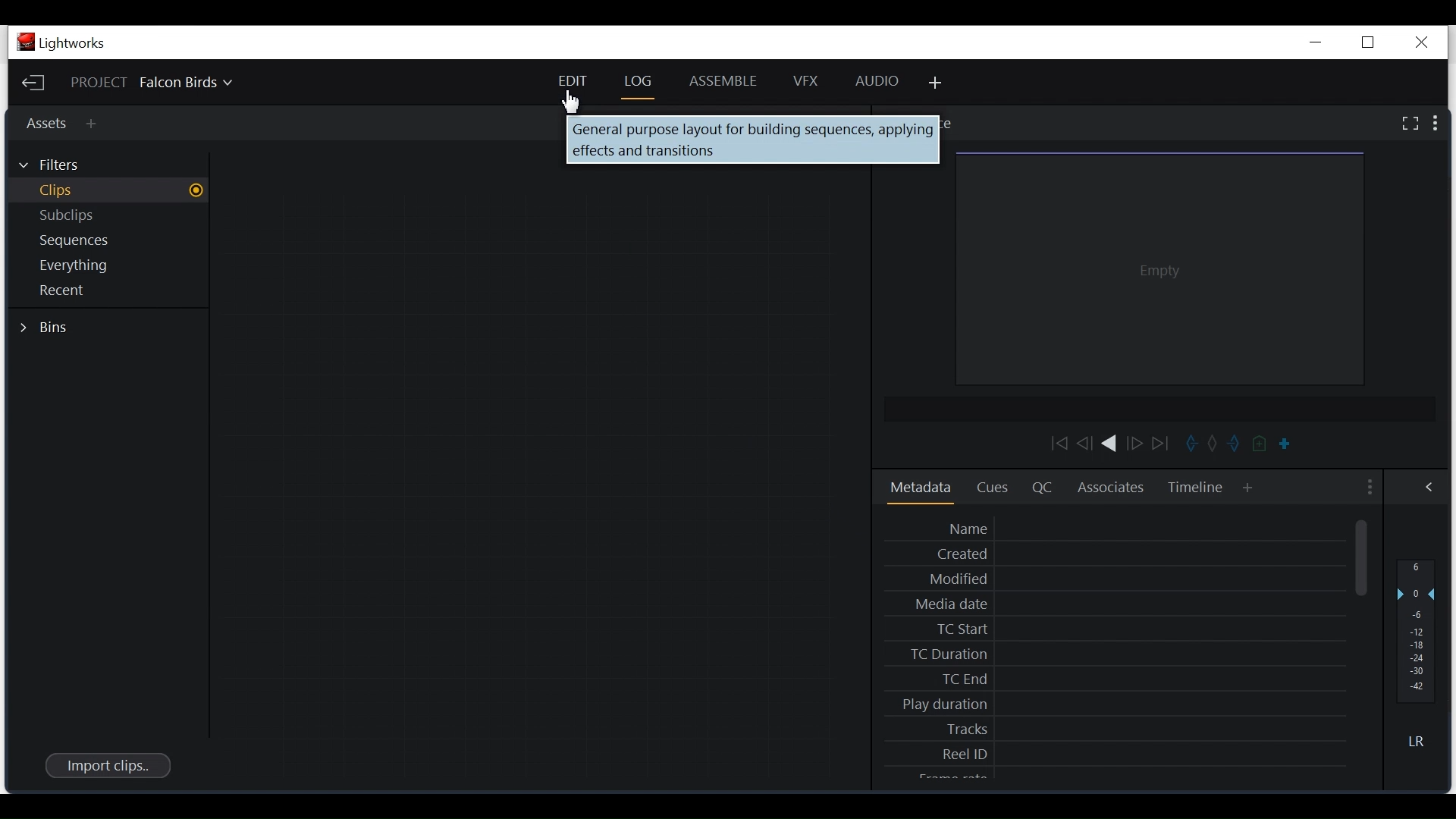 The width and height of the screenshot is (1456, 819). What do you see at coordinates (937, 84) in the screenshot?
I see `Add Panel` at bounding box center [937, 84].